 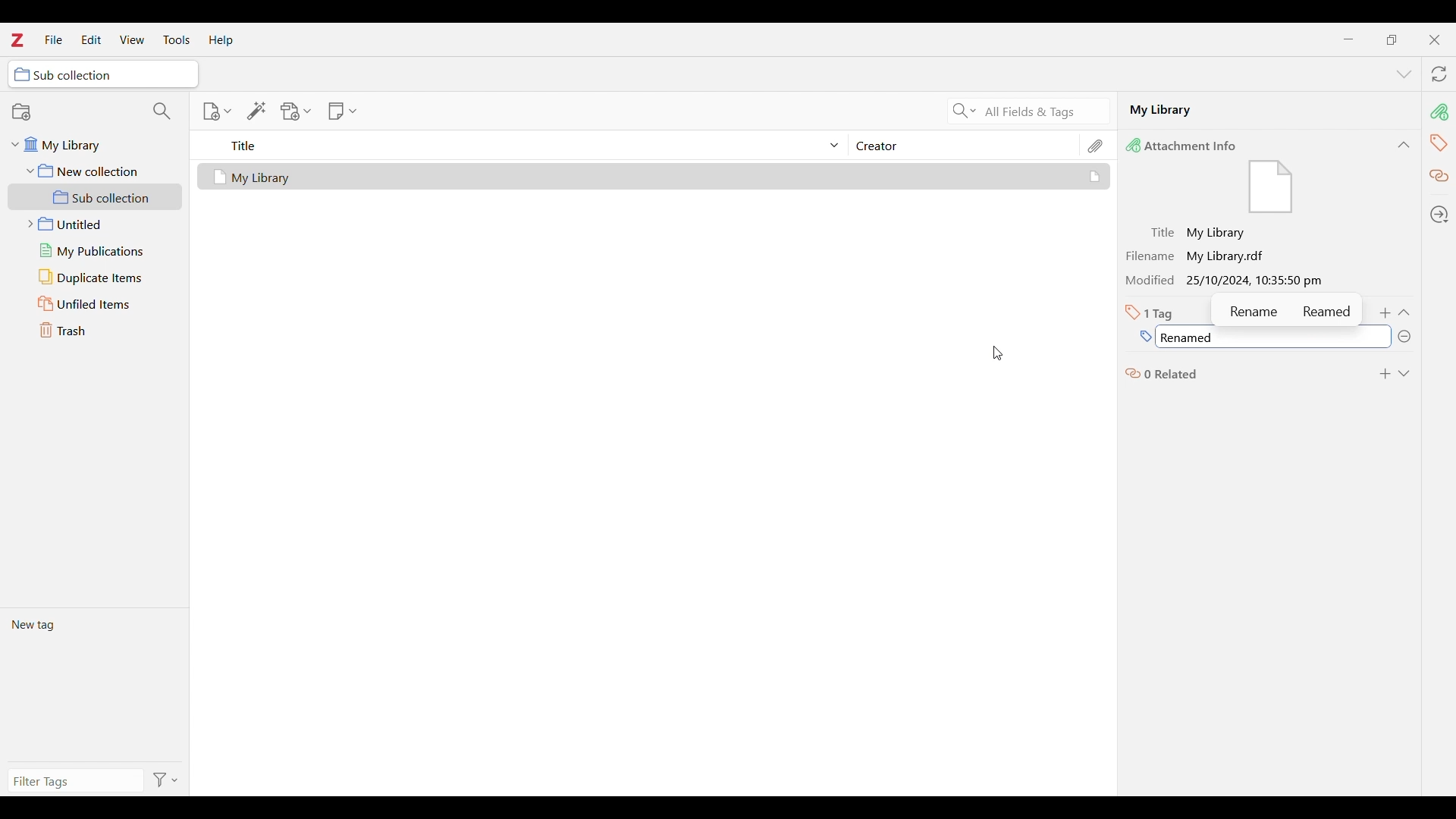 What do you see at coordinates (1267, 337) in the screenshot?
I see `Tag name typed` at bounding box center [1267, 337].